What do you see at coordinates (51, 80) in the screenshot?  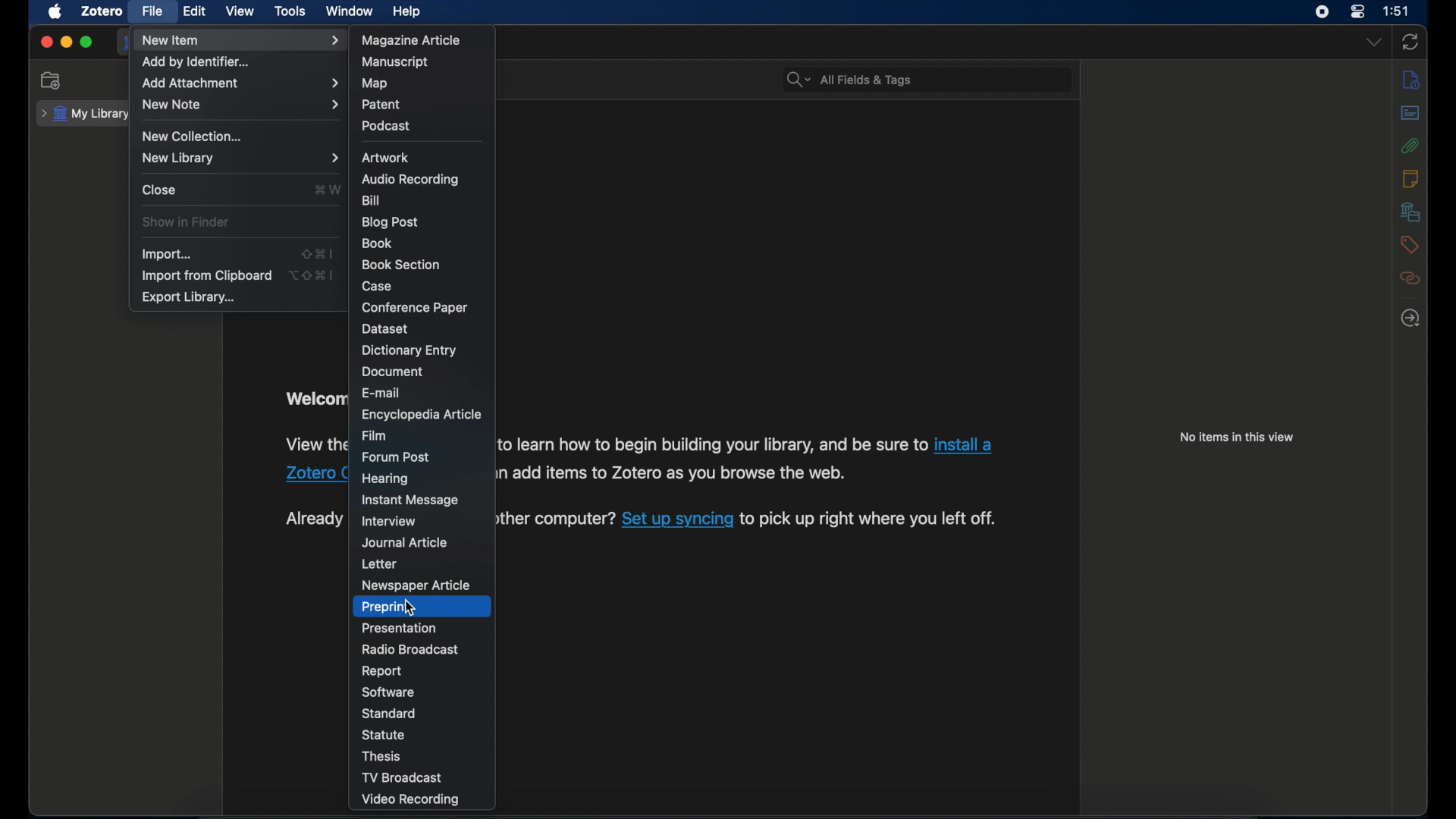 I see `new collection` at bounding box center [51, 80].